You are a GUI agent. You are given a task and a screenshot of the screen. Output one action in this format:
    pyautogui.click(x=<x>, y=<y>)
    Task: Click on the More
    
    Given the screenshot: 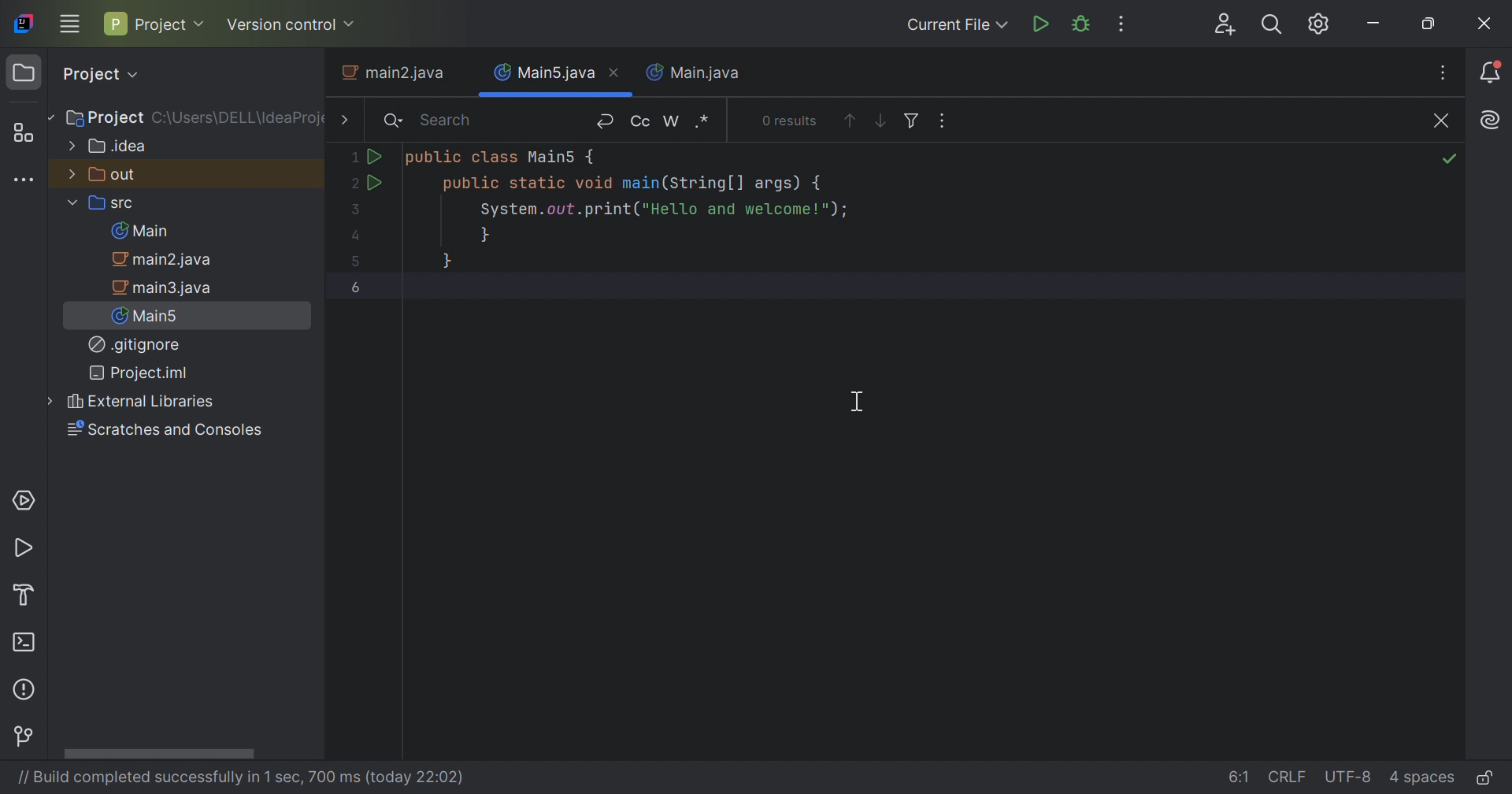 What is the action you would take?
    pyautogui.click(x=341, y=121)
    